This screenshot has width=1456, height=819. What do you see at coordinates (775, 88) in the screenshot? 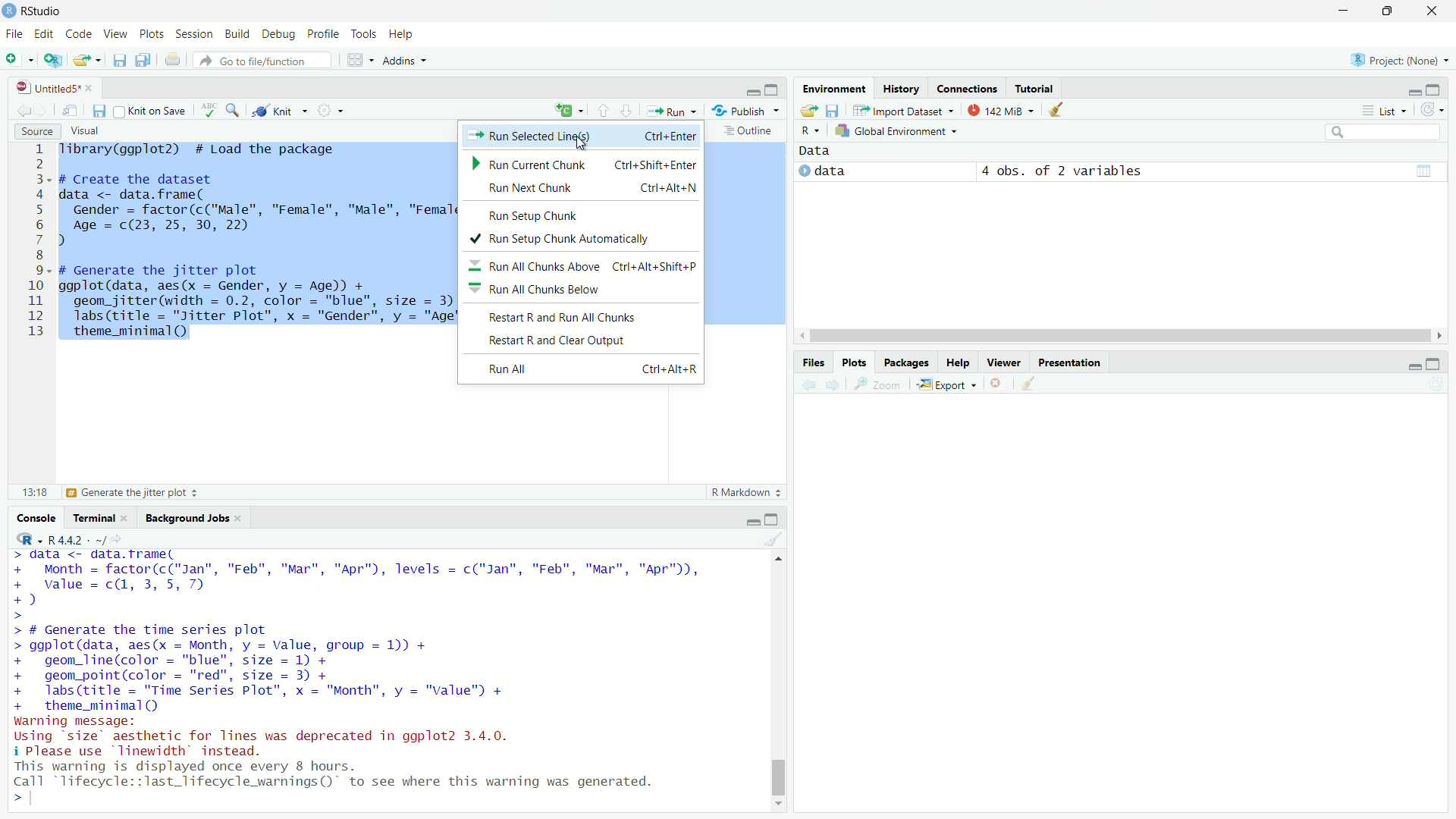
I see `maximize` at bounding box center [775, 88].